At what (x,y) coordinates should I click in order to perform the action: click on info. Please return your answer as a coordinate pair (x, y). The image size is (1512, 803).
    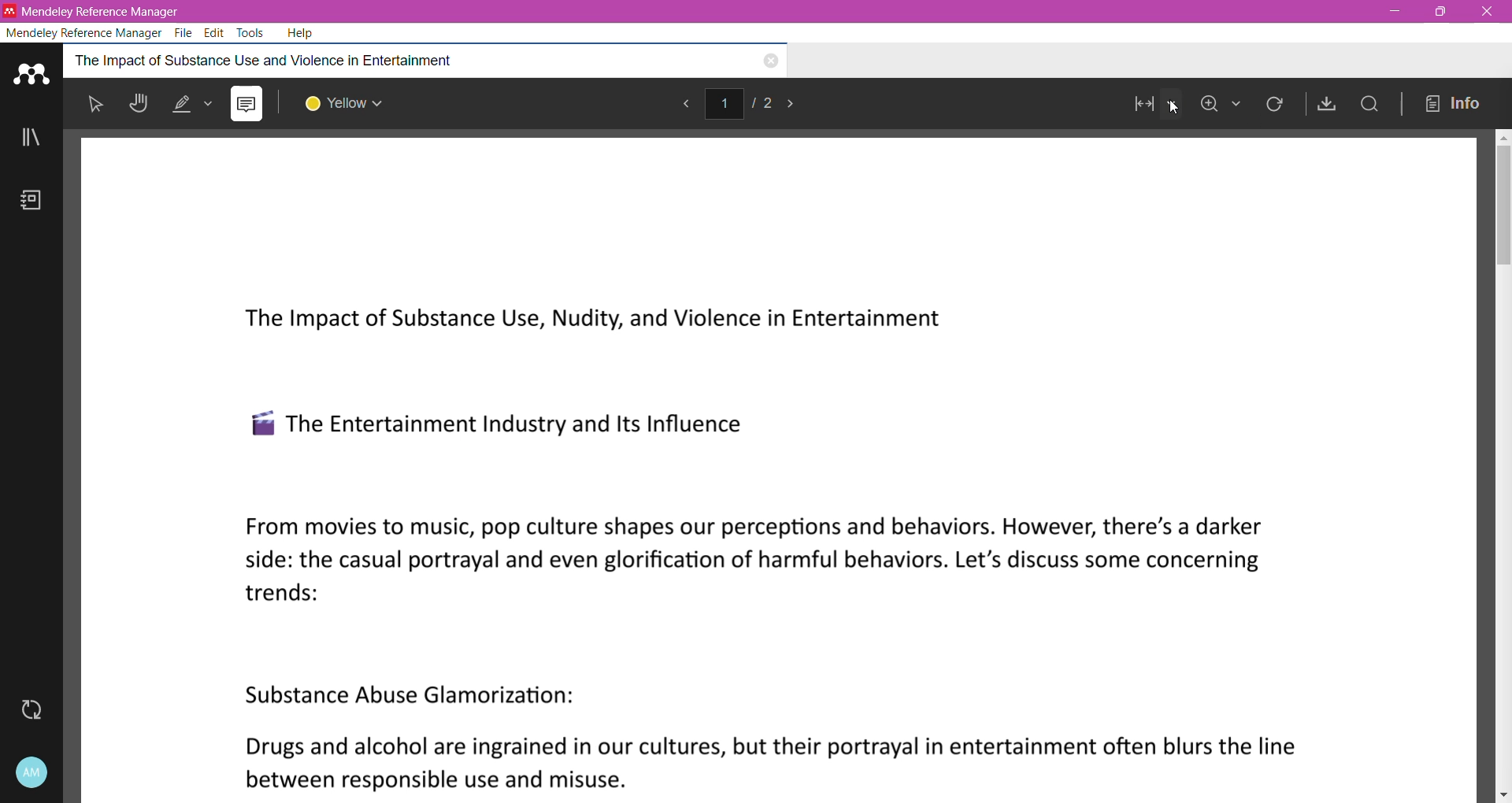
    Looking at the image, I should click on (1455, 102).